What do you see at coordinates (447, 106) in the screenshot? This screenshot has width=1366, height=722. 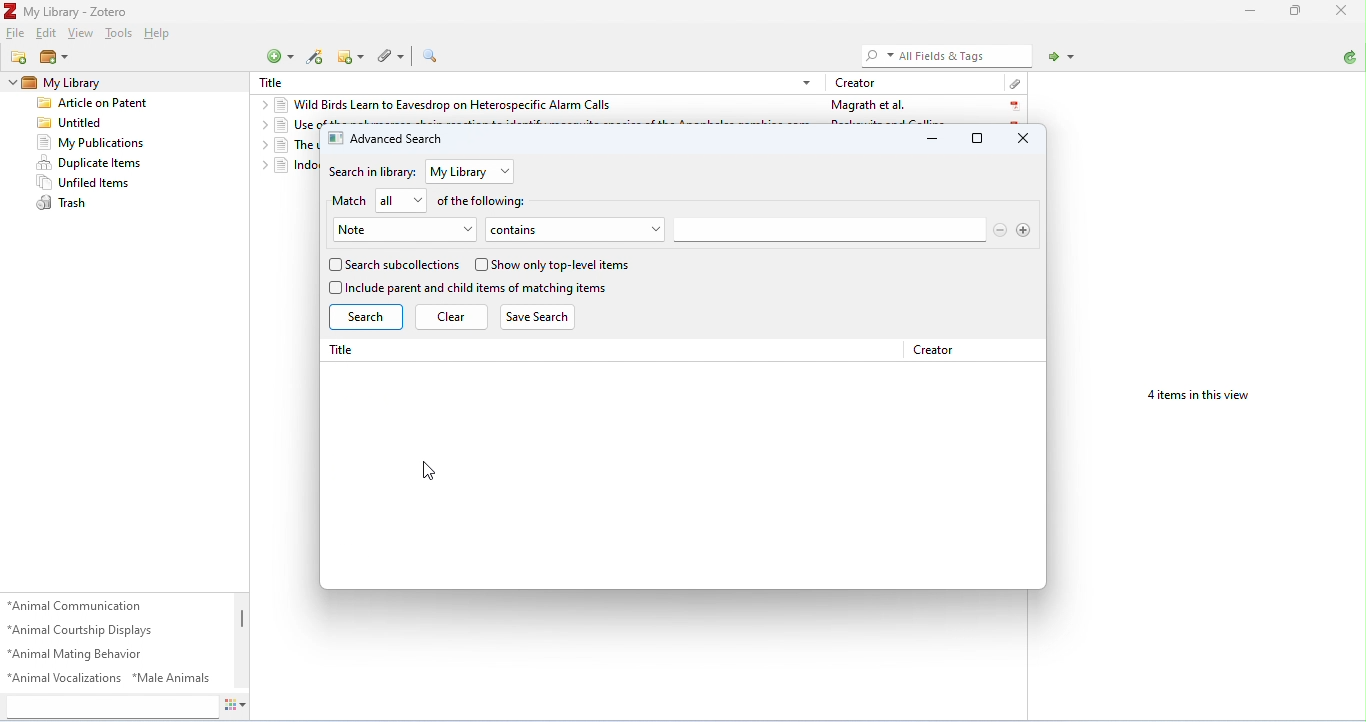 I see `wild birds learn to eavesdrop on heterospecific alarm calls` at bounding box center [447, 106].